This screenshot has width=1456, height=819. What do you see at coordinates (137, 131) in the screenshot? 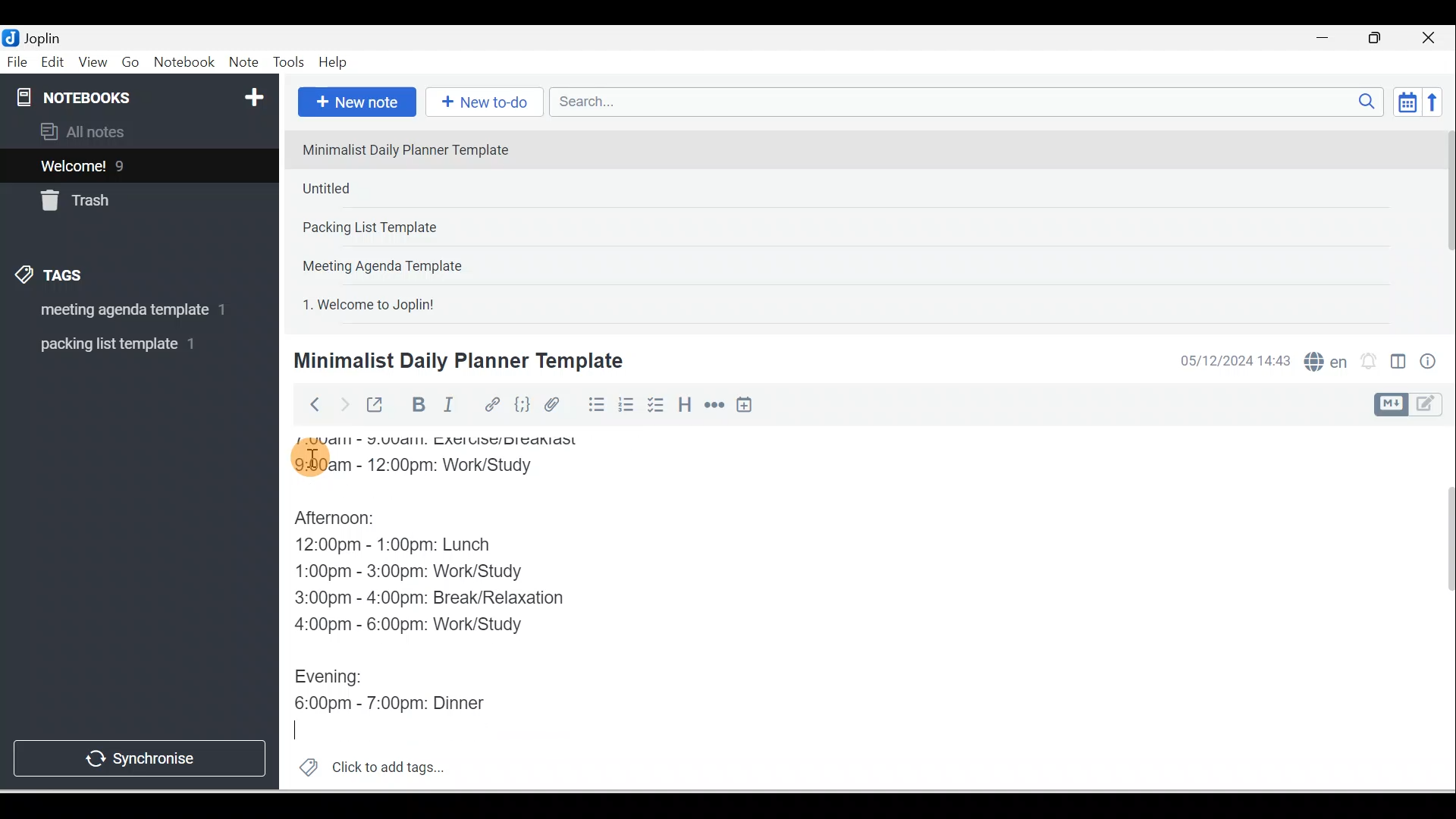
I see `All notes` at bounding box center [137, 131].